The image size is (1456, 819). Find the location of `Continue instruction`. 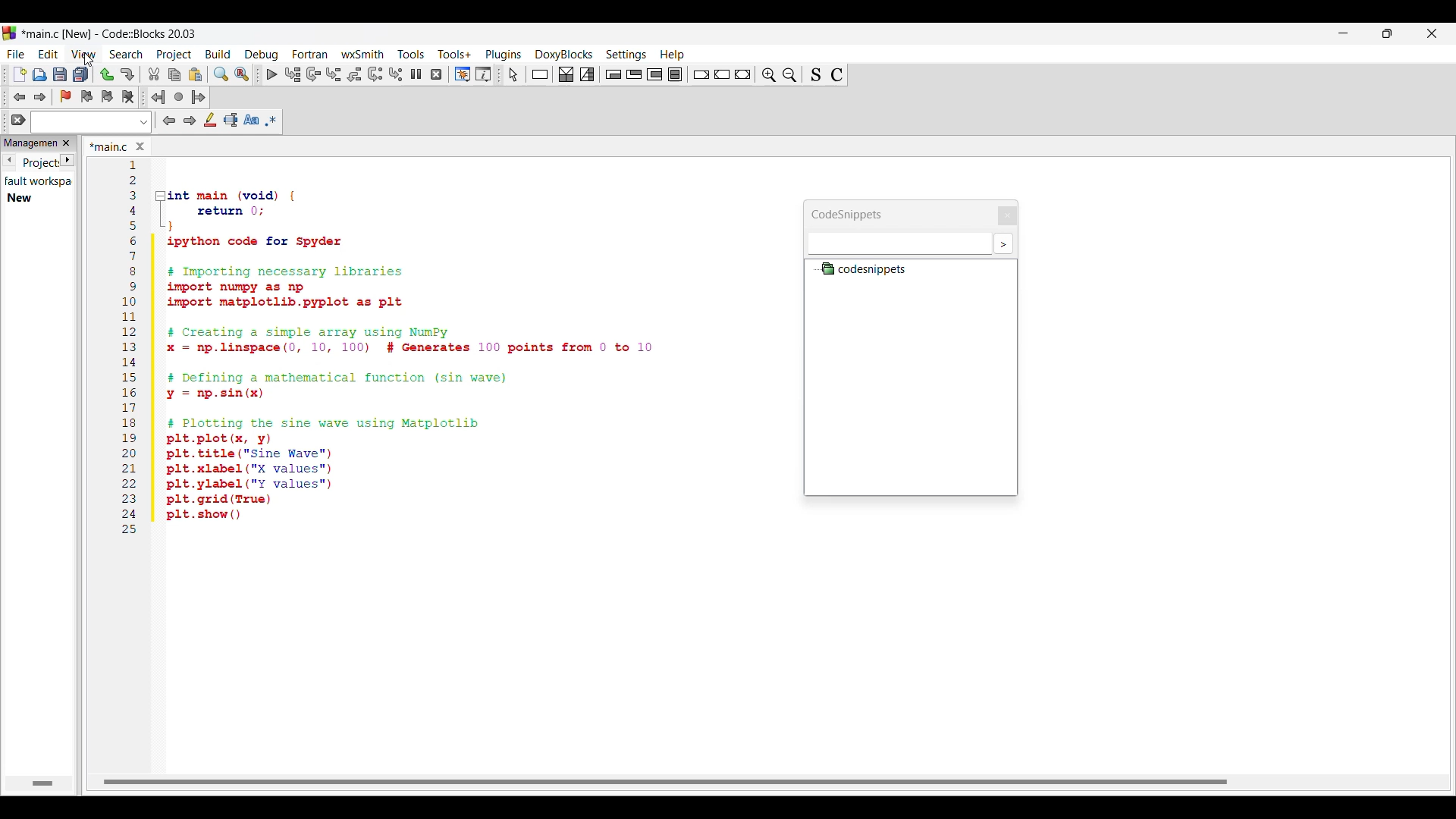

Continue instruction is located at coordinates (722, 74).